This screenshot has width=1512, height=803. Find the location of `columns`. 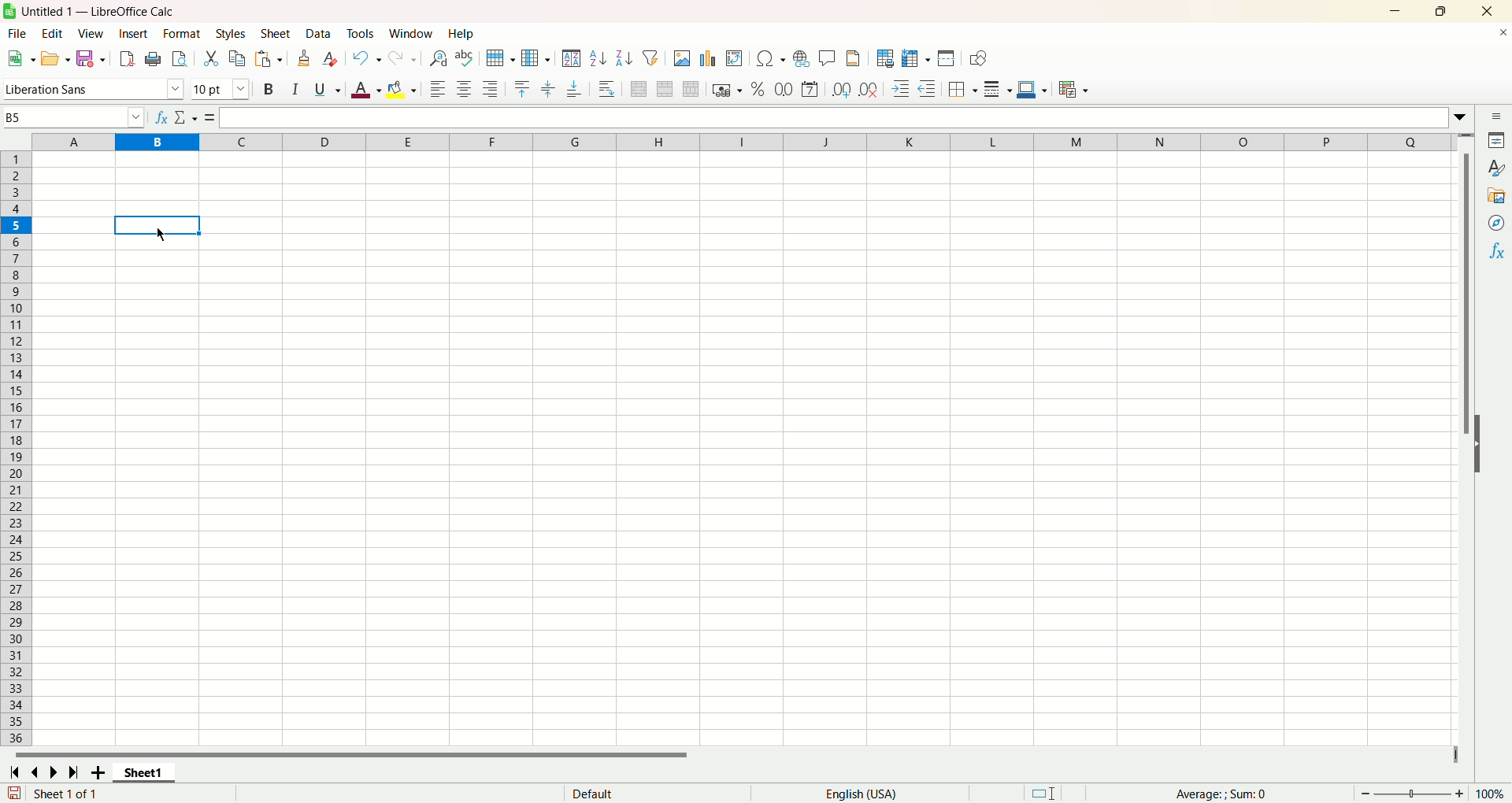

columns is located at coordinates (733, 142).